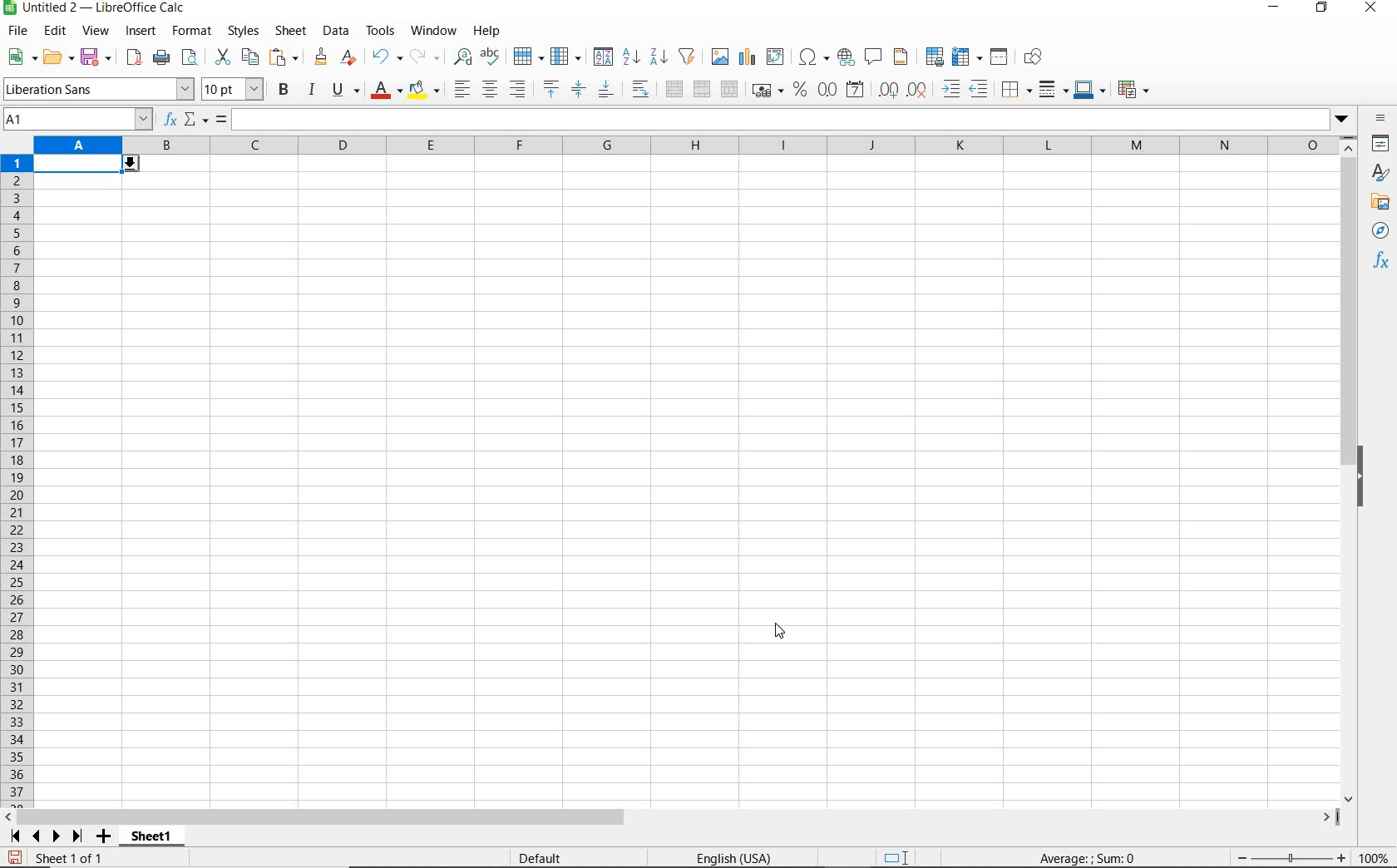 This screenshot has height=868, width=1397. What do you see at coordinates (856, 89) in the screenshot?
I see `format as date` at bounding box center [856, 89].